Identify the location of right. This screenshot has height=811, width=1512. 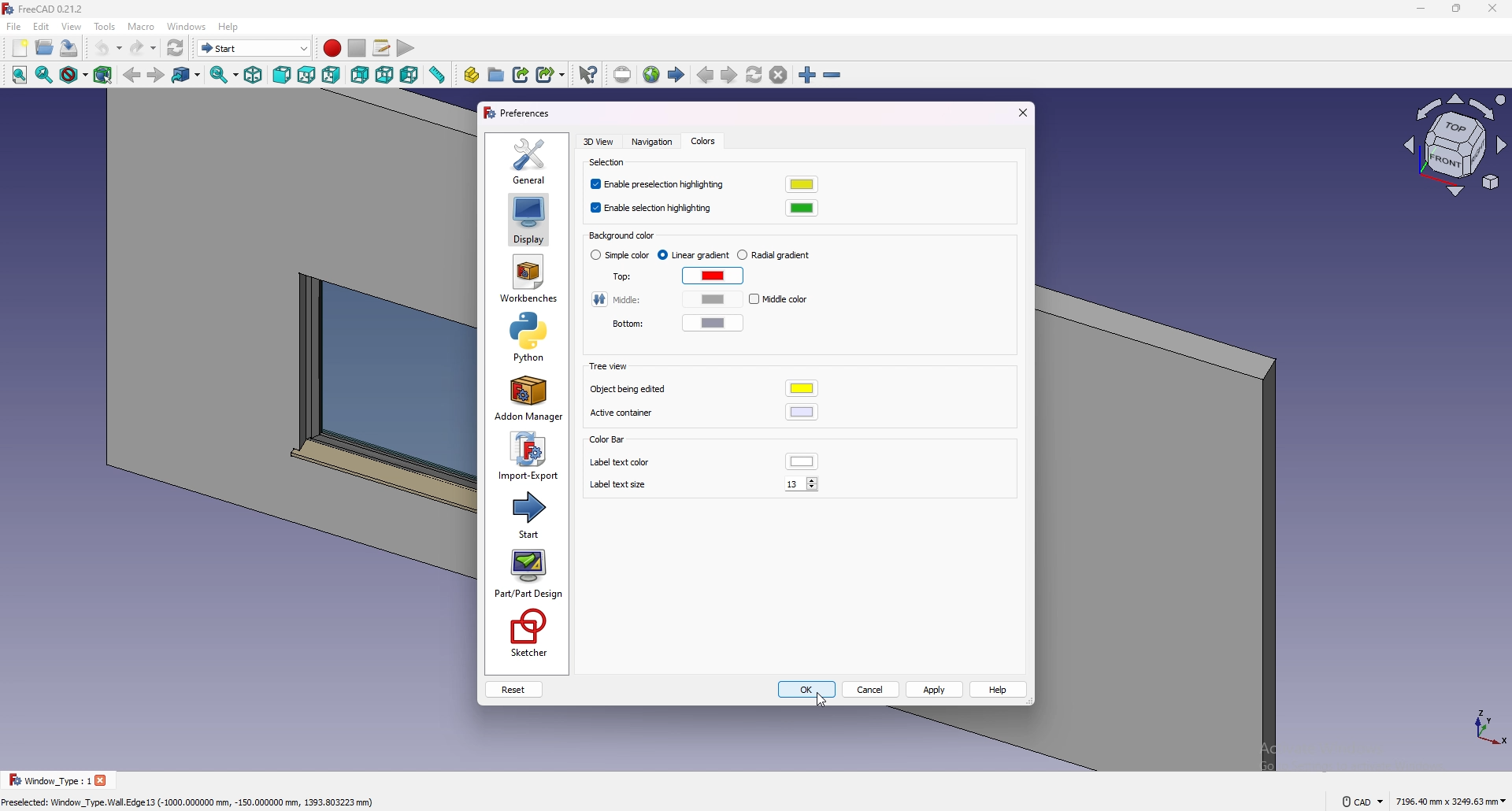
(332, 75).